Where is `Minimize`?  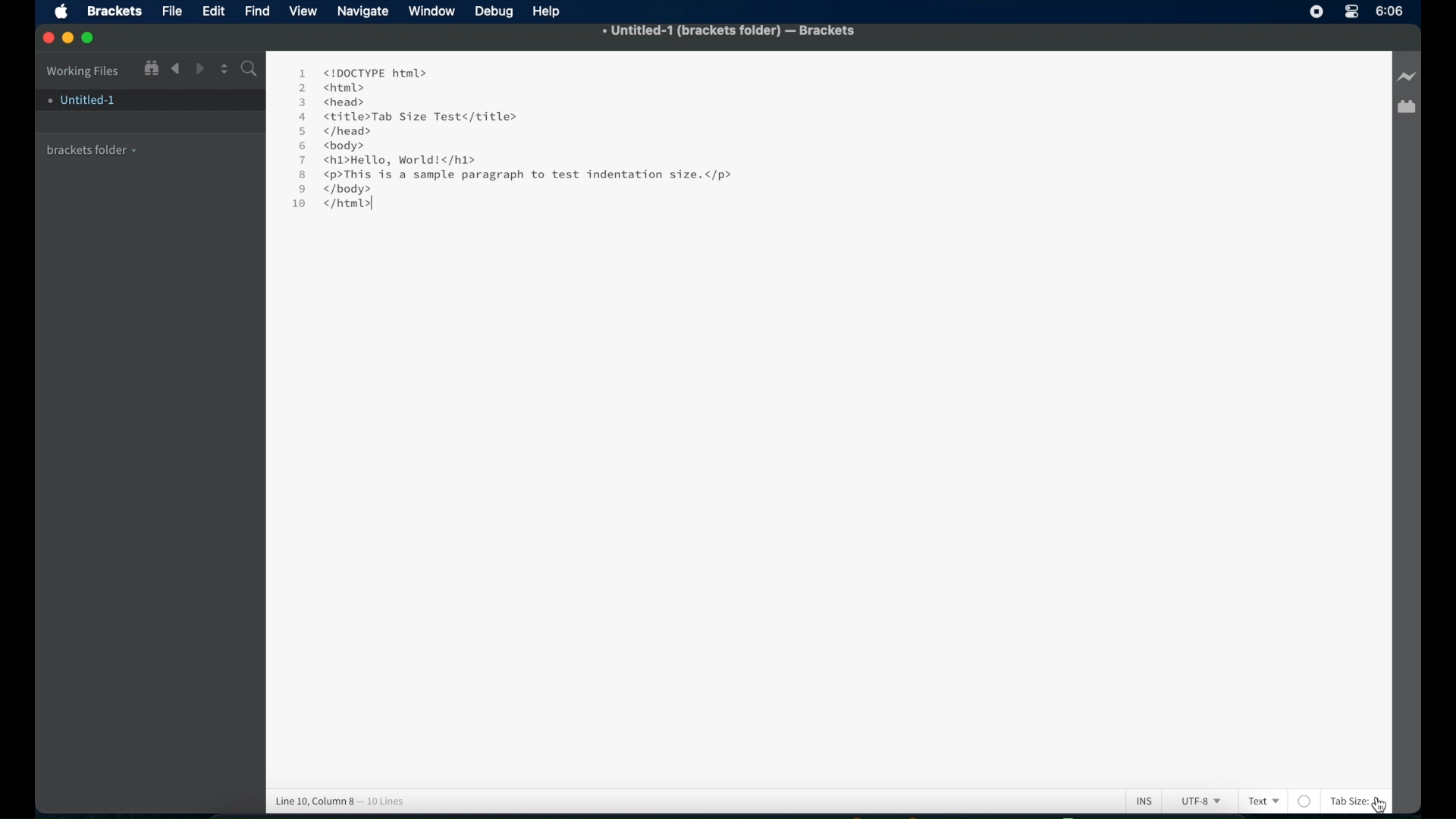
Minimize is located at coordinates (71, 38).